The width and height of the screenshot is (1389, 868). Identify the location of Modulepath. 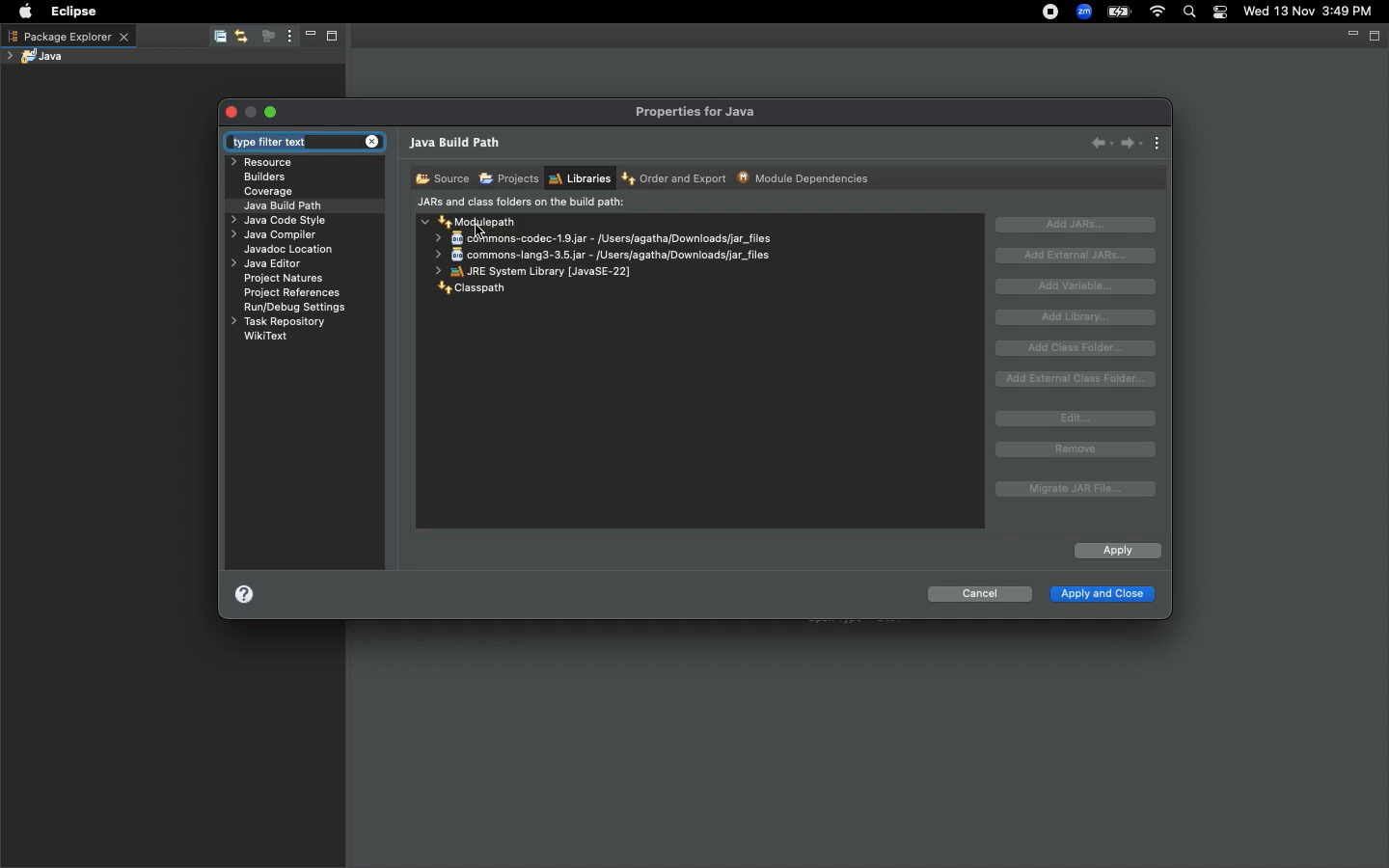
(471, 221).